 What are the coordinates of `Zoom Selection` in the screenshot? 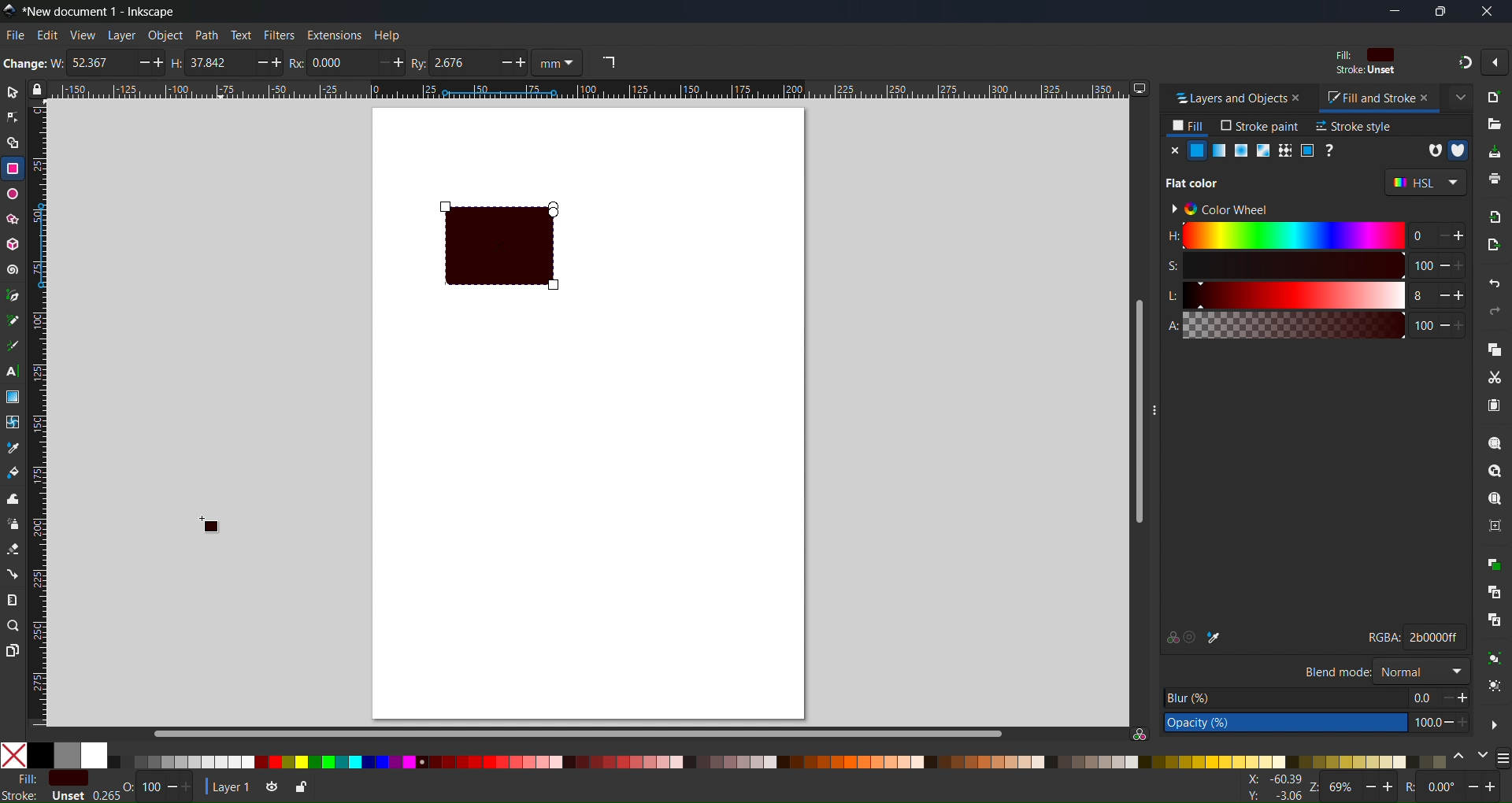 It's located at (1494, 443).